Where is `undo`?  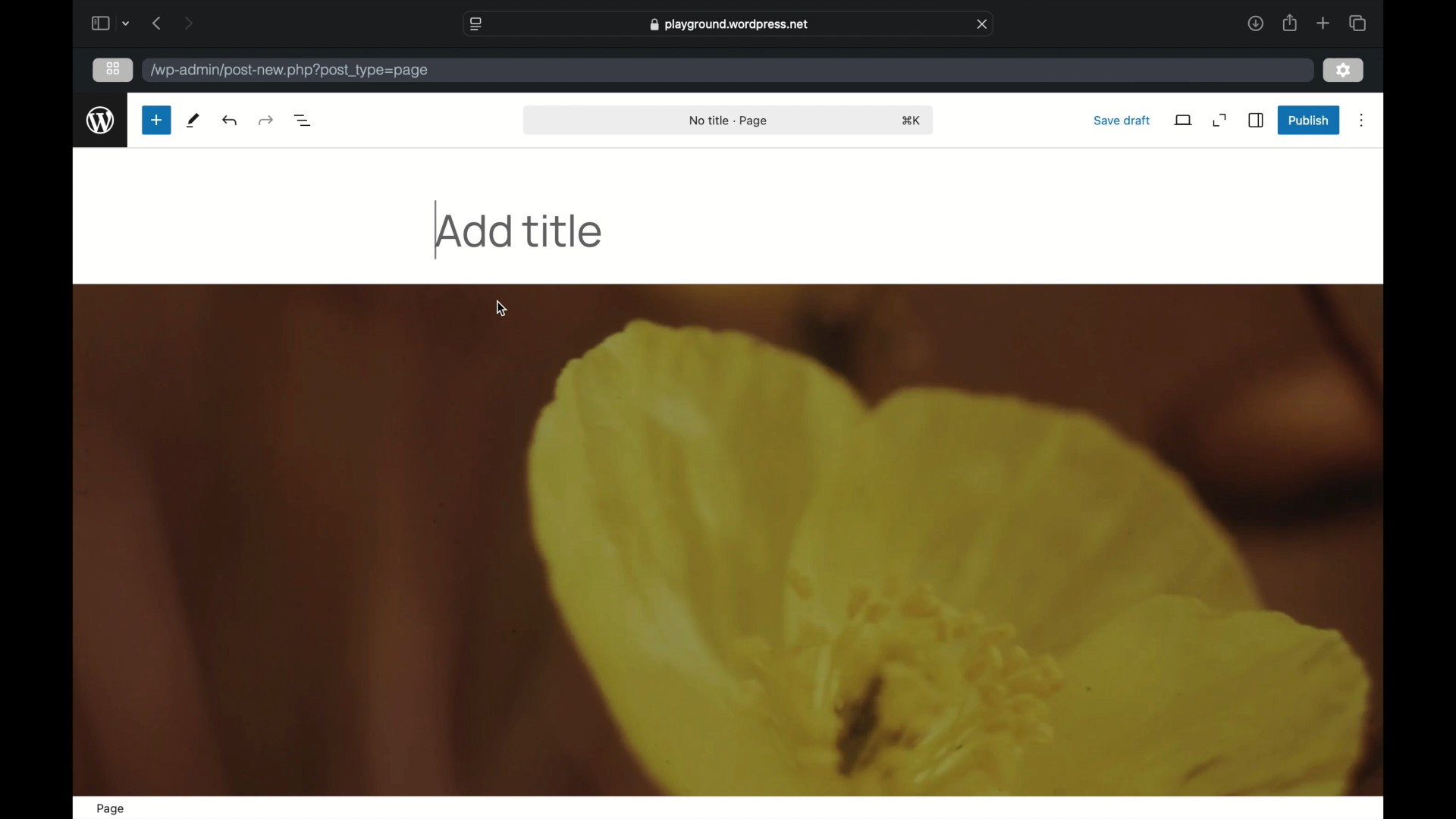
undo is located at coordinates (265, 120).